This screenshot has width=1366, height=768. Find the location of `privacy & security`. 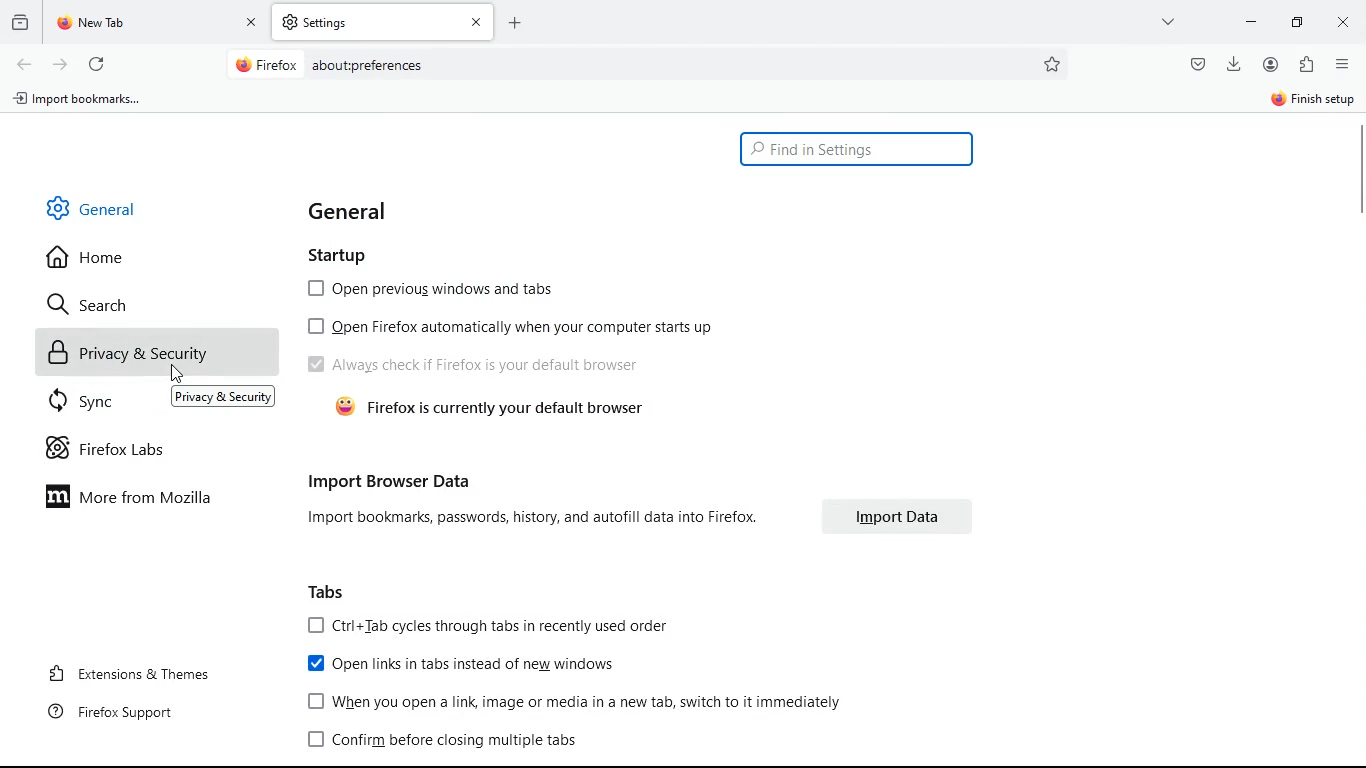

privacy & security is located at coordinates (153, 357).